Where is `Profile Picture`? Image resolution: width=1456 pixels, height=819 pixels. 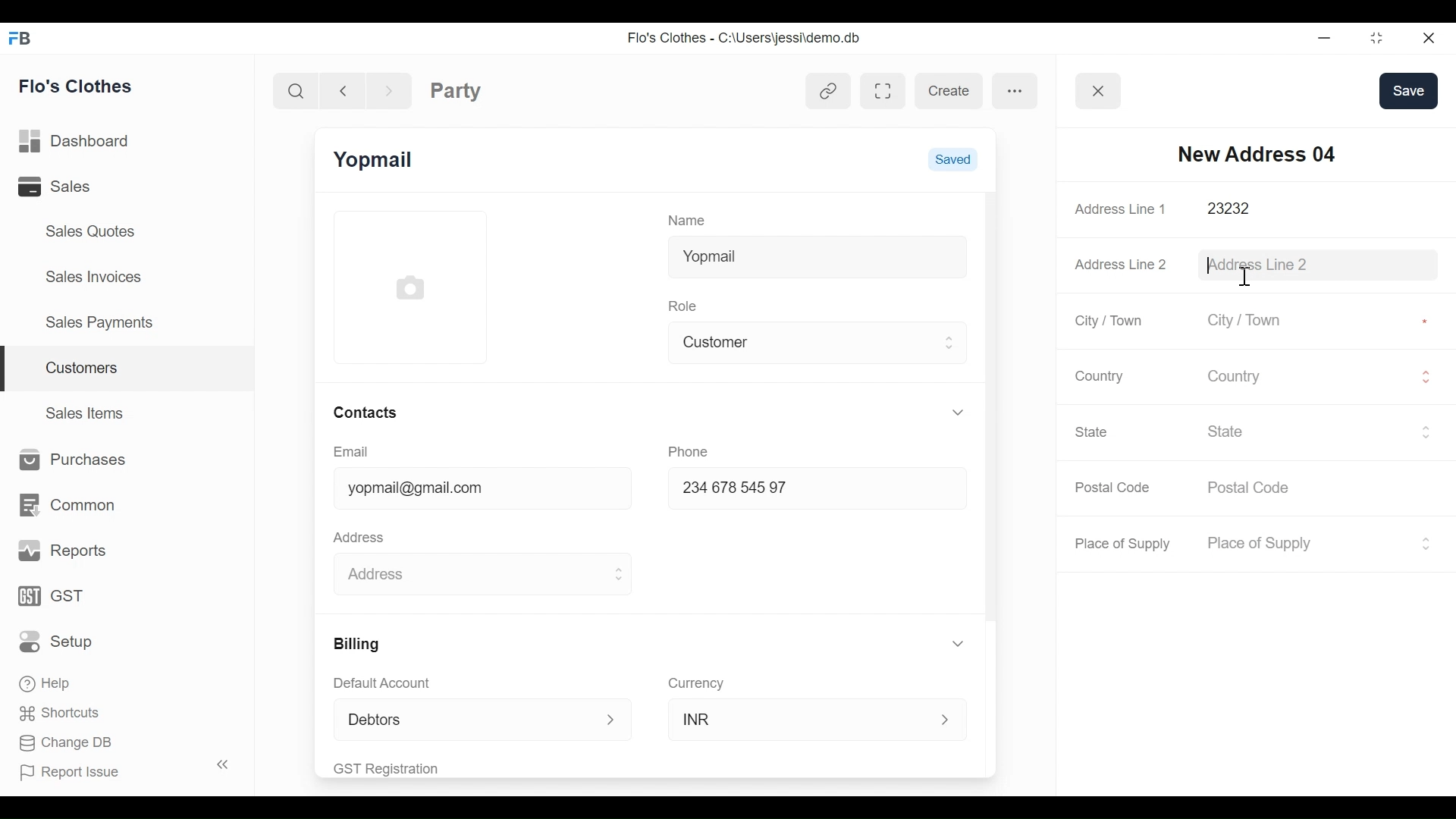
Profile Picture is located at coordinates (413, 286).